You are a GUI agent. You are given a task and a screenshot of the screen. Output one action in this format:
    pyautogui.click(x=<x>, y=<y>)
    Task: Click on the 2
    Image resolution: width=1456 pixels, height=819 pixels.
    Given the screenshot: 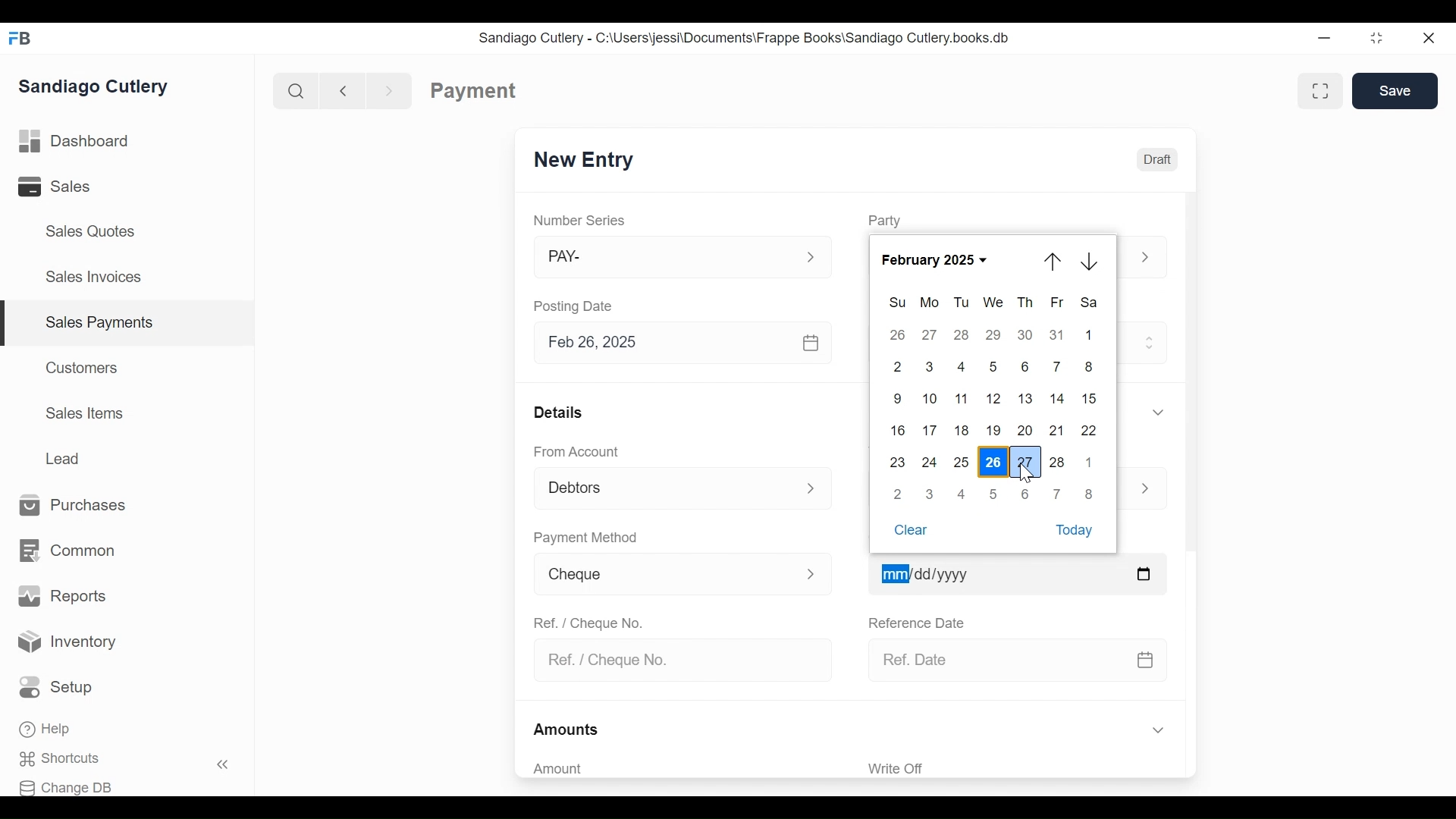 What is the action you would take?
    pyautogui.click(x=895, y=367)
    